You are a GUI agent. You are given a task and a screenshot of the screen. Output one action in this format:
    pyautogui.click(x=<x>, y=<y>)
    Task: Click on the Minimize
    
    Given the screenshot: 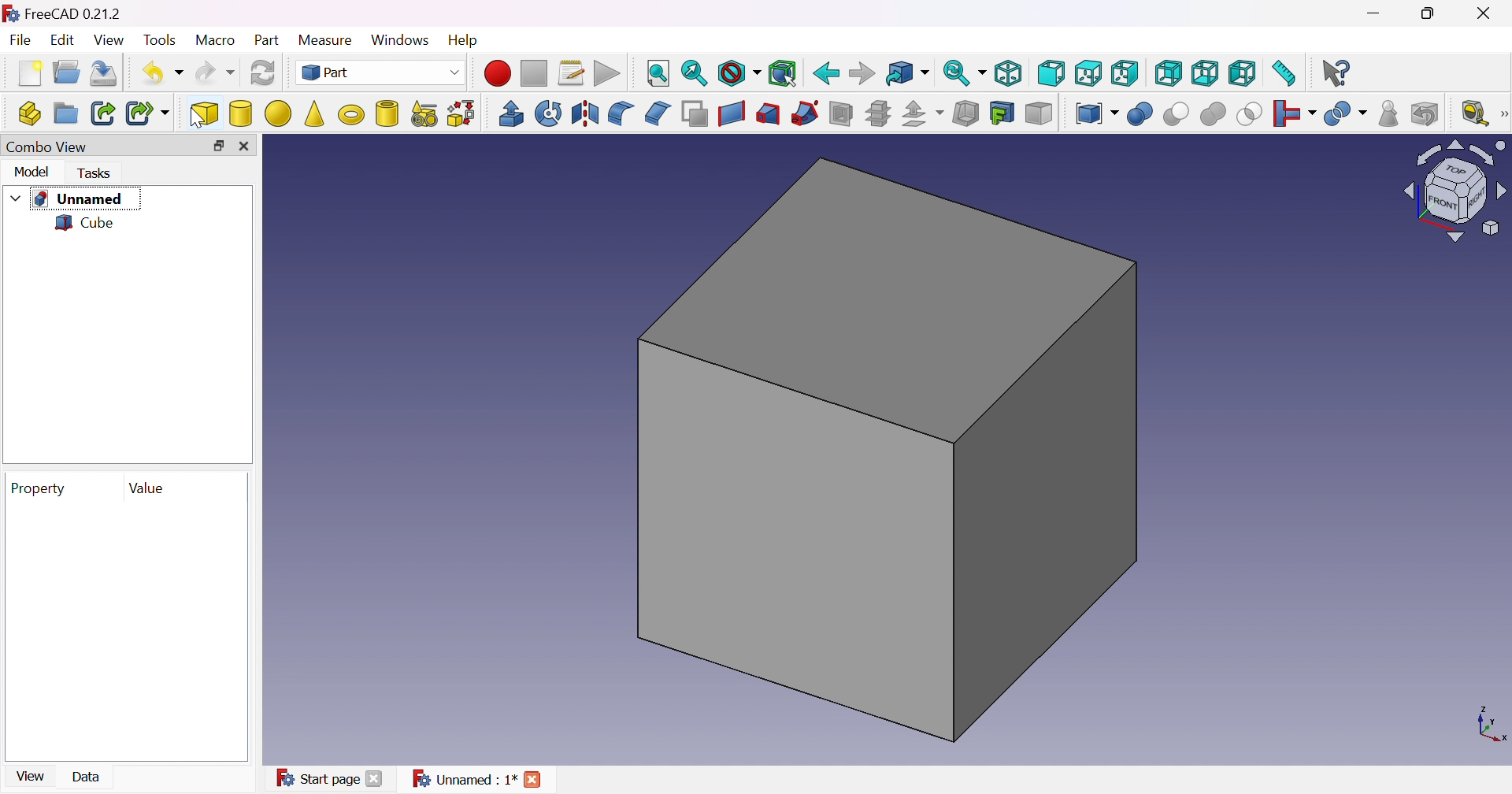 What is the action you would take?
    pyautogui.click(x=1377, y=12)
    